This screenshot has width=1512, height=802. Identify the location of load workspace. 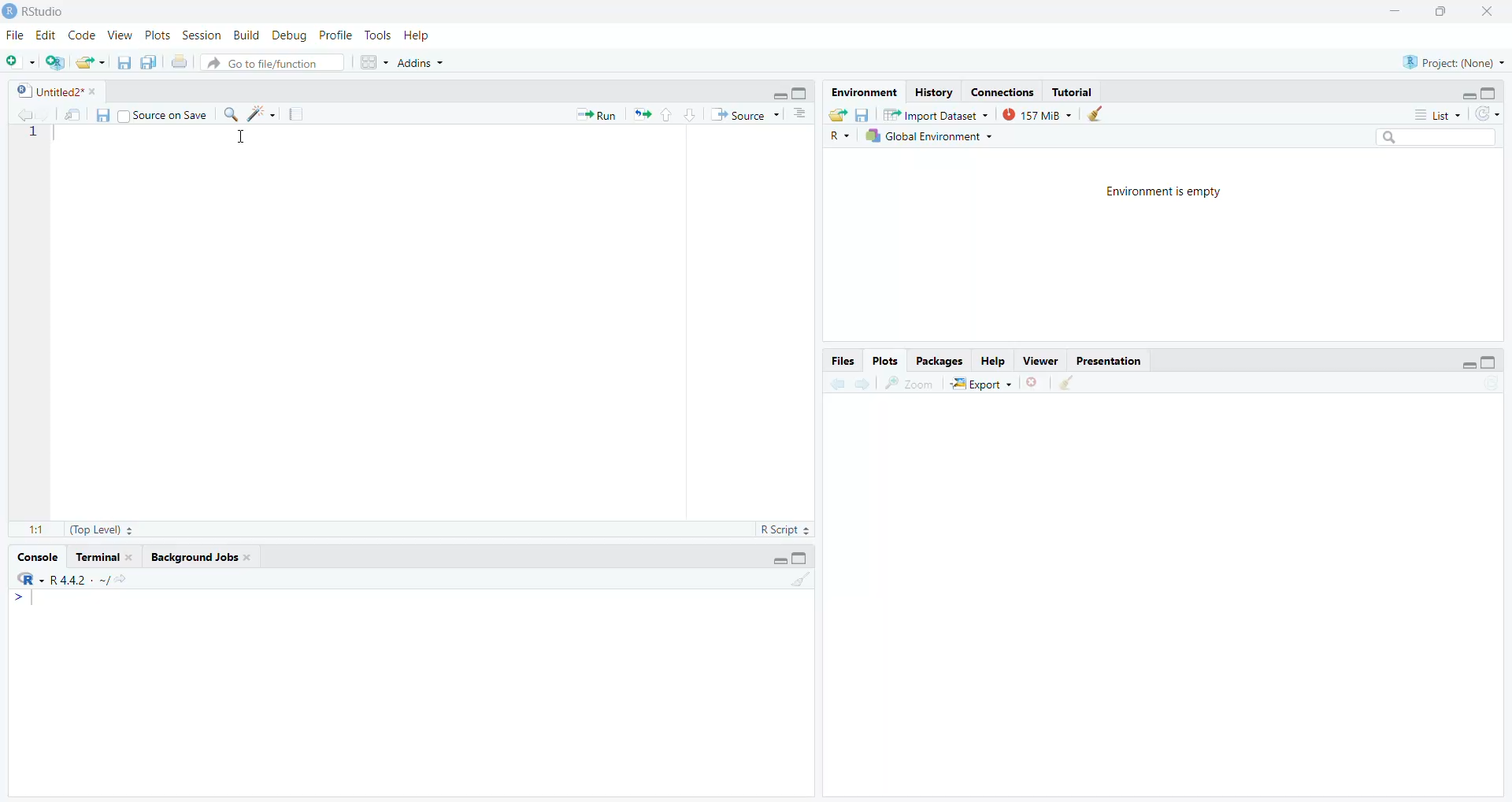
(837, 114).